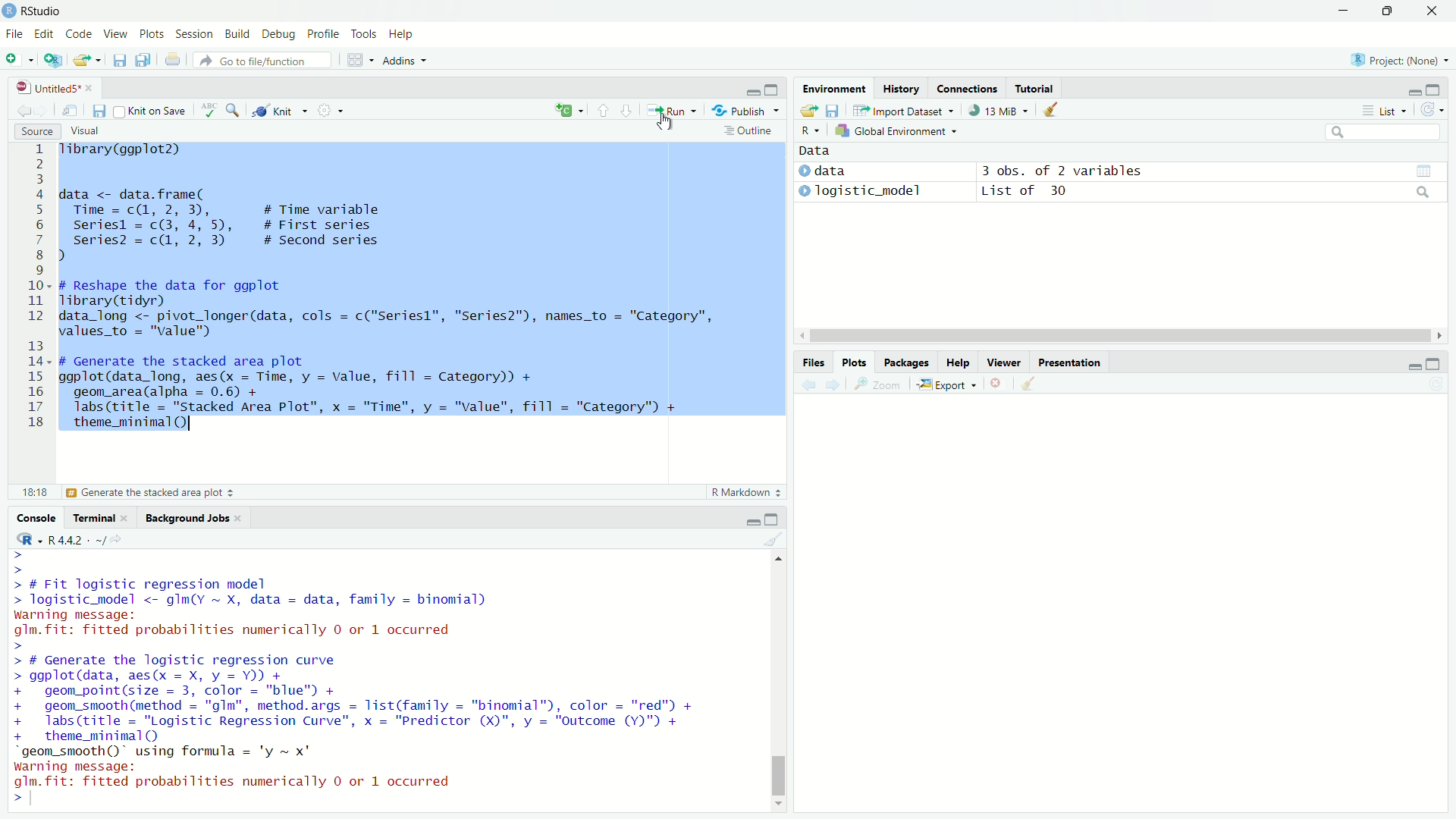  Describe the element at coordinates (413, 290) in the screenshot. I see `Tibrary(ggplot2)
data <- data.frame(
Time = c(1, 2, 3), # Time variable
seriesl = c(3, 4, 5),  # First series| I
series? = c(1, 2, 3) # Second series
)
- # Reshape the data for ggplot
Tibrary(tidyr)
data_long <- pivot_longer(data, cols = c("Seriesl", "Series2"), names_to = "Category",
values_to = "value")
 # Generate the stacked area plot
ggplot(data_long, aes(x = Time, y = Value, fill = Category)) +
geom_area(alpha = 0.6) +
labs (title = "Stacked Area Plot", x = "Time", y = "value", fill = "Category") +
theme_minimal()` at that location.